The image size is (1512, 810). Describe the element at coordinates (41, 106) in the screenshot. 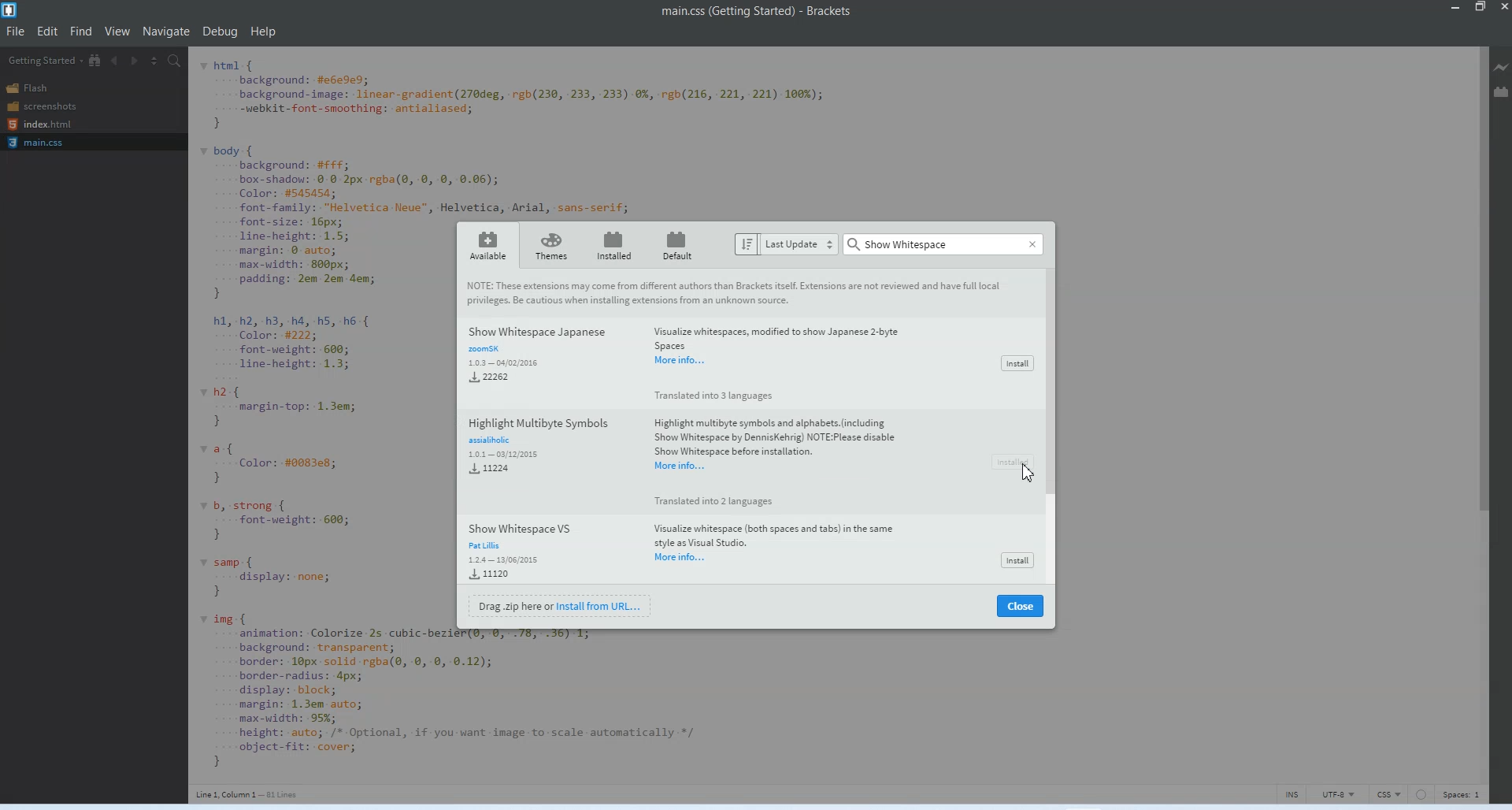

I see `Screenshots` at that location.